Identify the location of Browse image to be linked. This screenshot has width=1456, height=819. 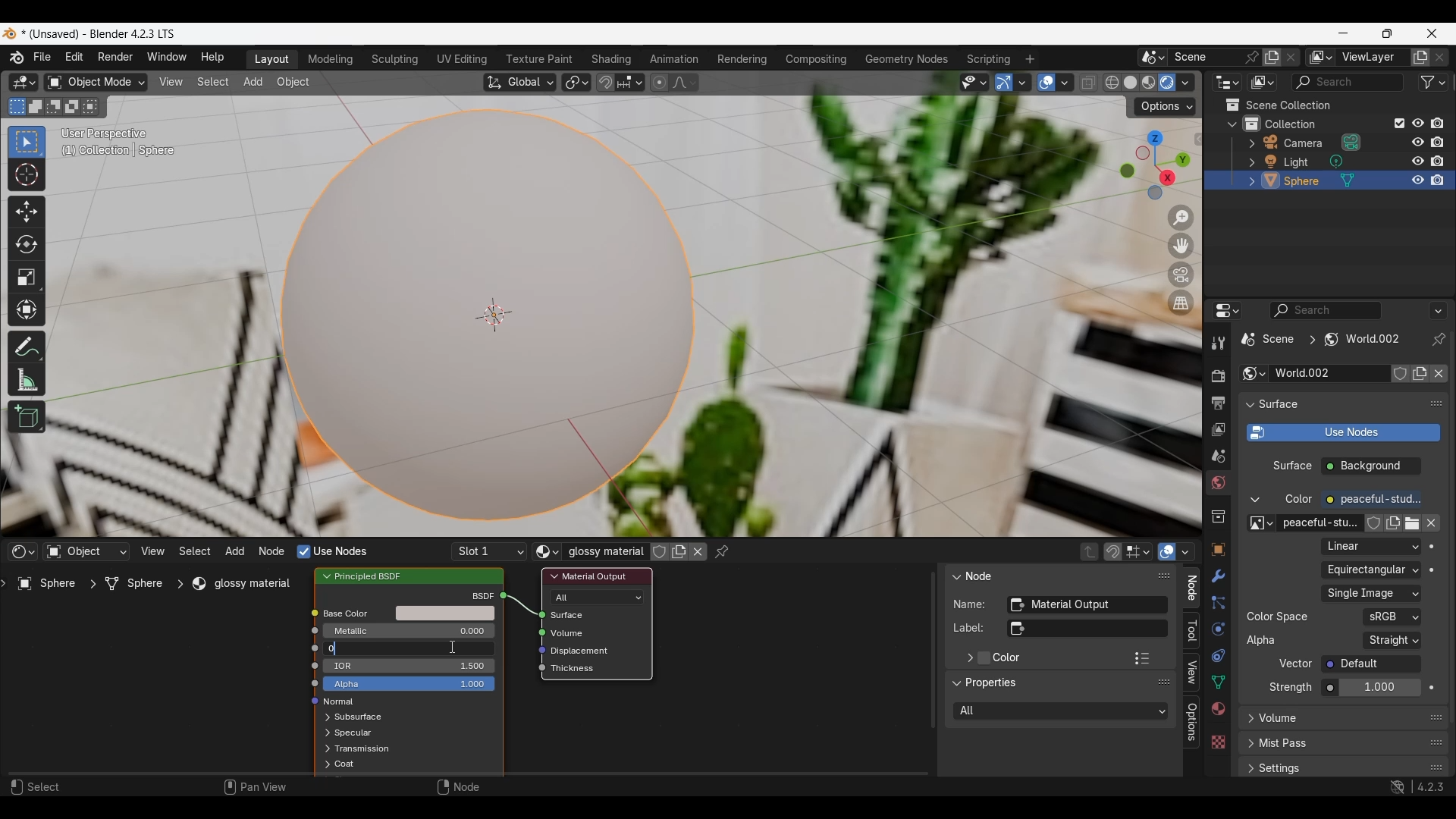
(1262, 523).